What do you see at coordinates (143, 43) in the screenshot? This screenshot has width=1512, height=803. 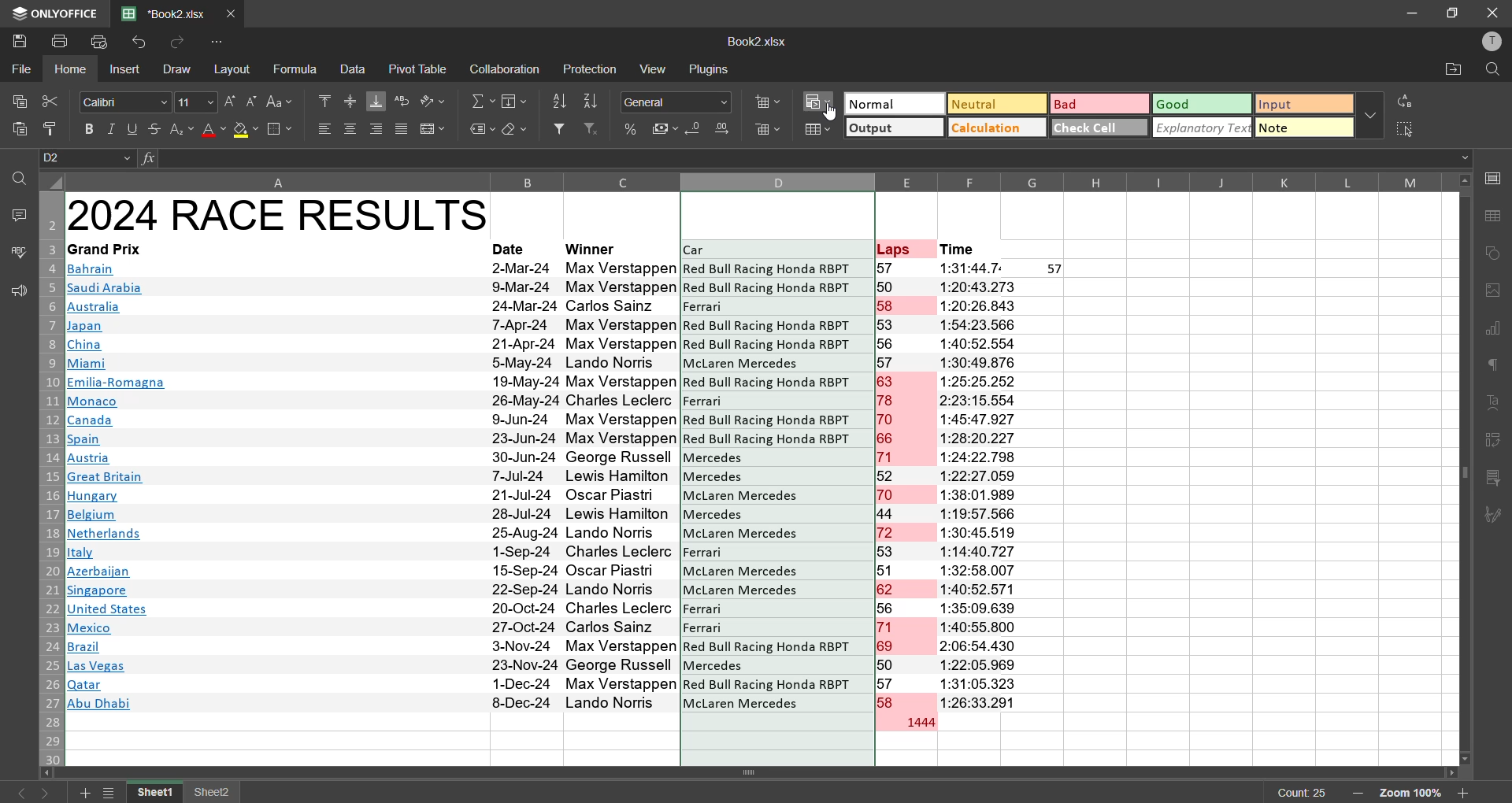 I see `undo` at bounding box center [143, 43].